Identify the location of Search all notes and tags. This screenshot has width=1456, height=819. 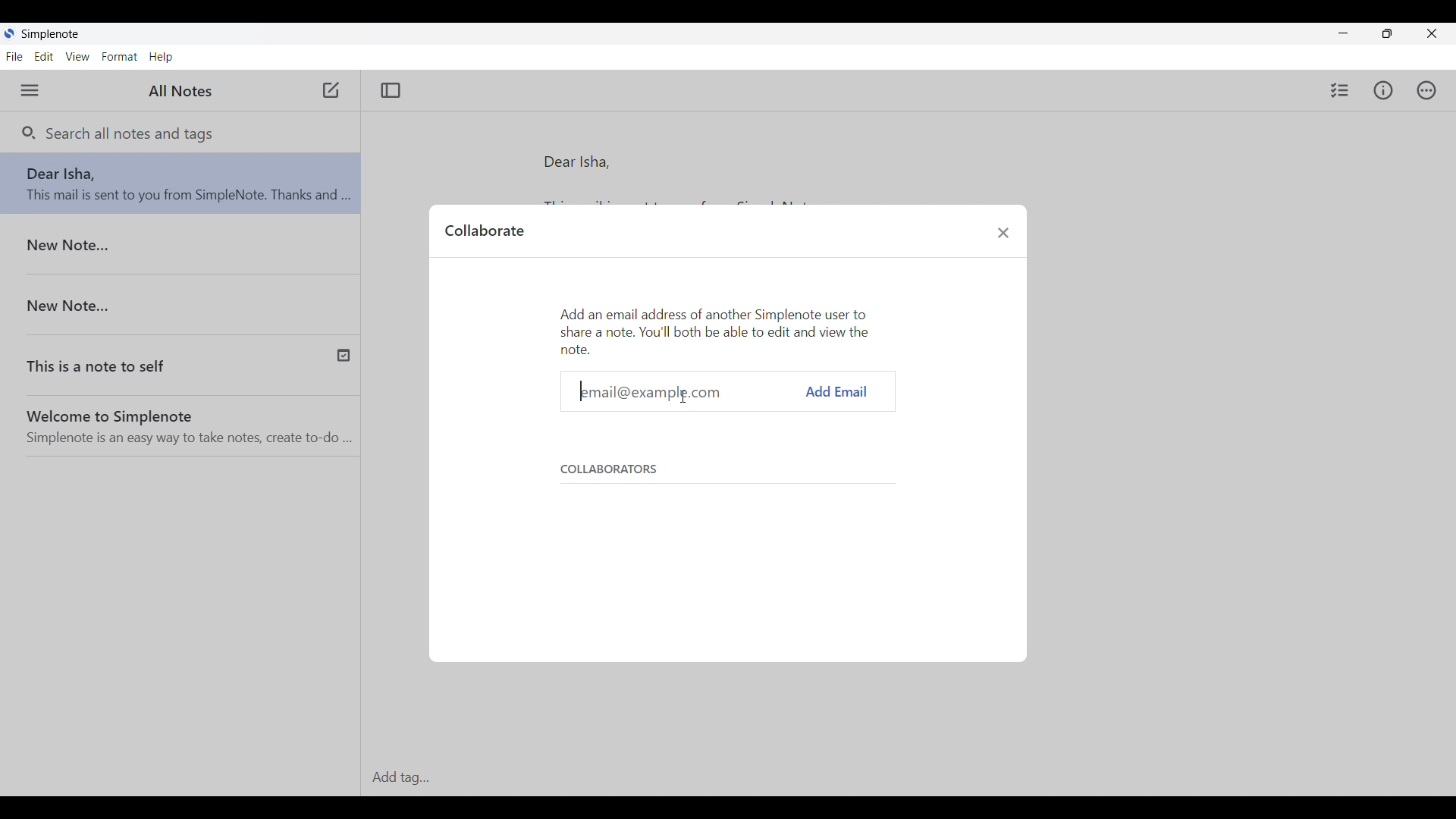
(128, 133).